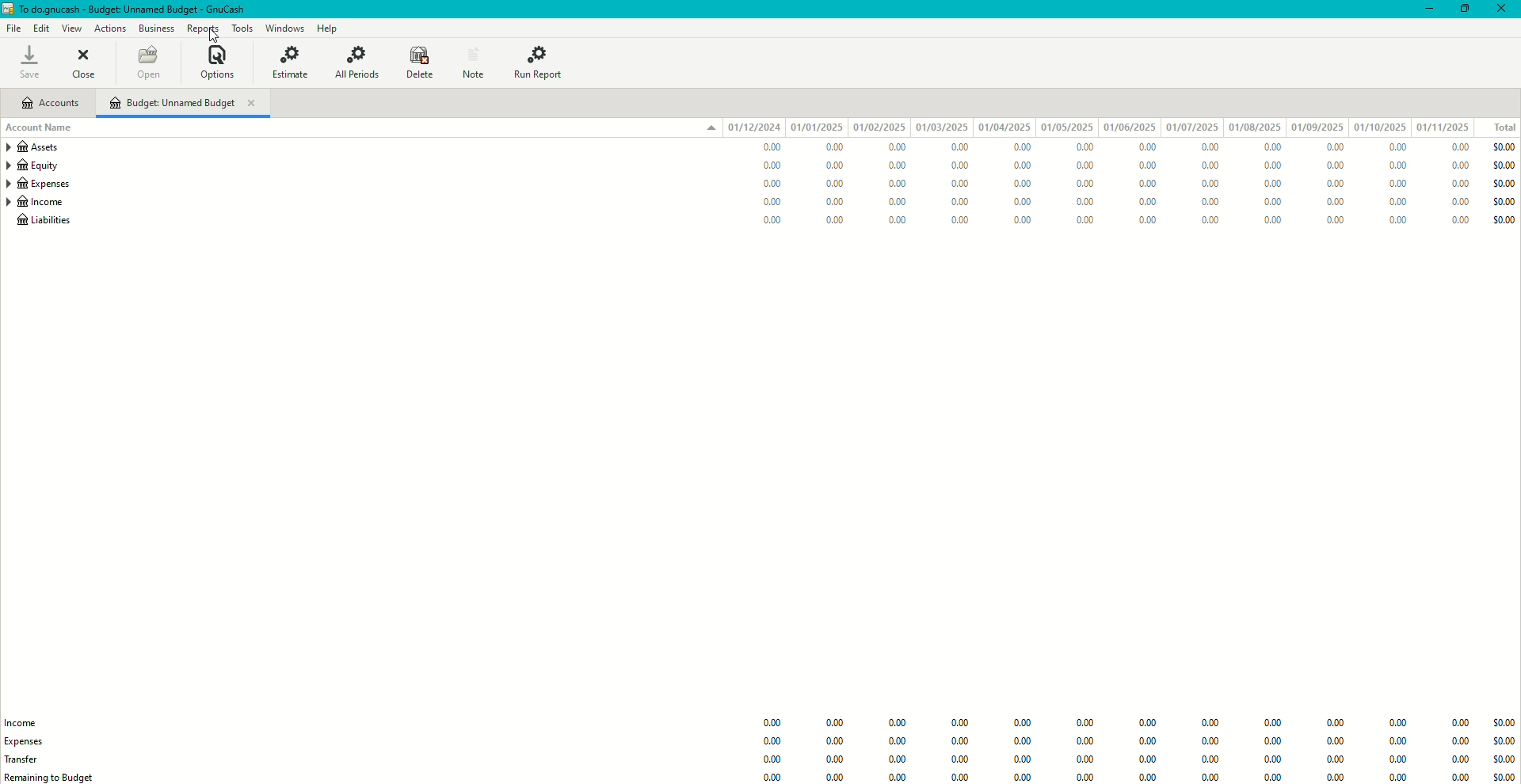  I want to click on Delete, so click(418, 61).